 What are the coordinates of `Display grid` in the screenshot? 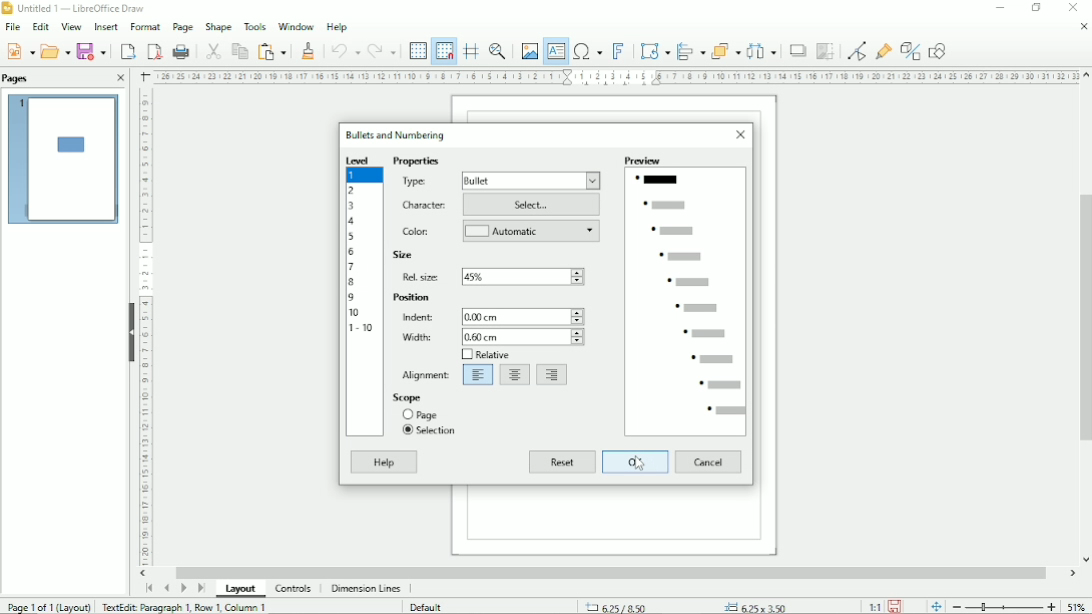 It's located at (417, 49).